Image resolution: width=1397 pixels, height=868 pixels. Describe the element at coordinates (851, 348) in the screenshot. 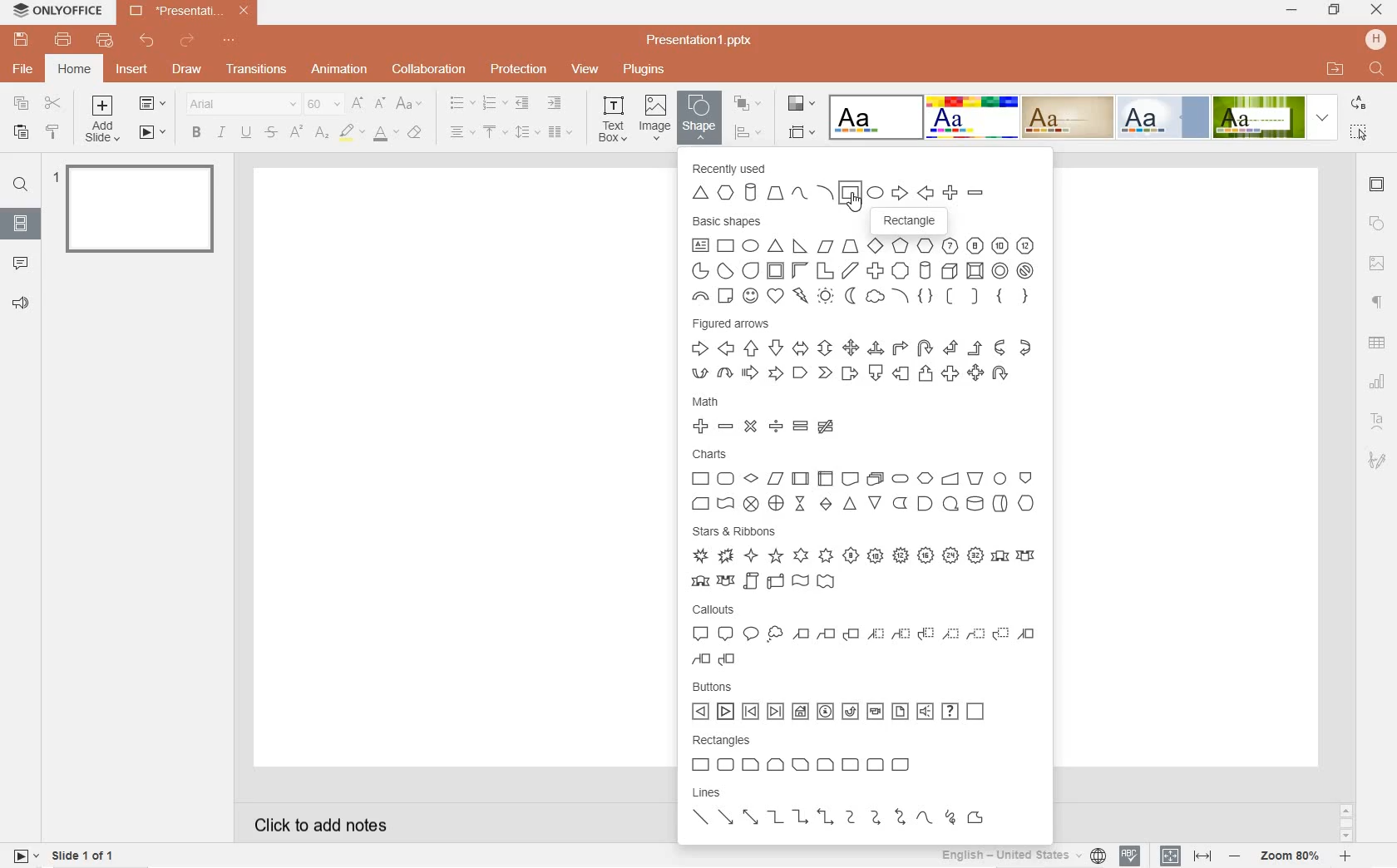

I see `Quad Arrow` at that location.